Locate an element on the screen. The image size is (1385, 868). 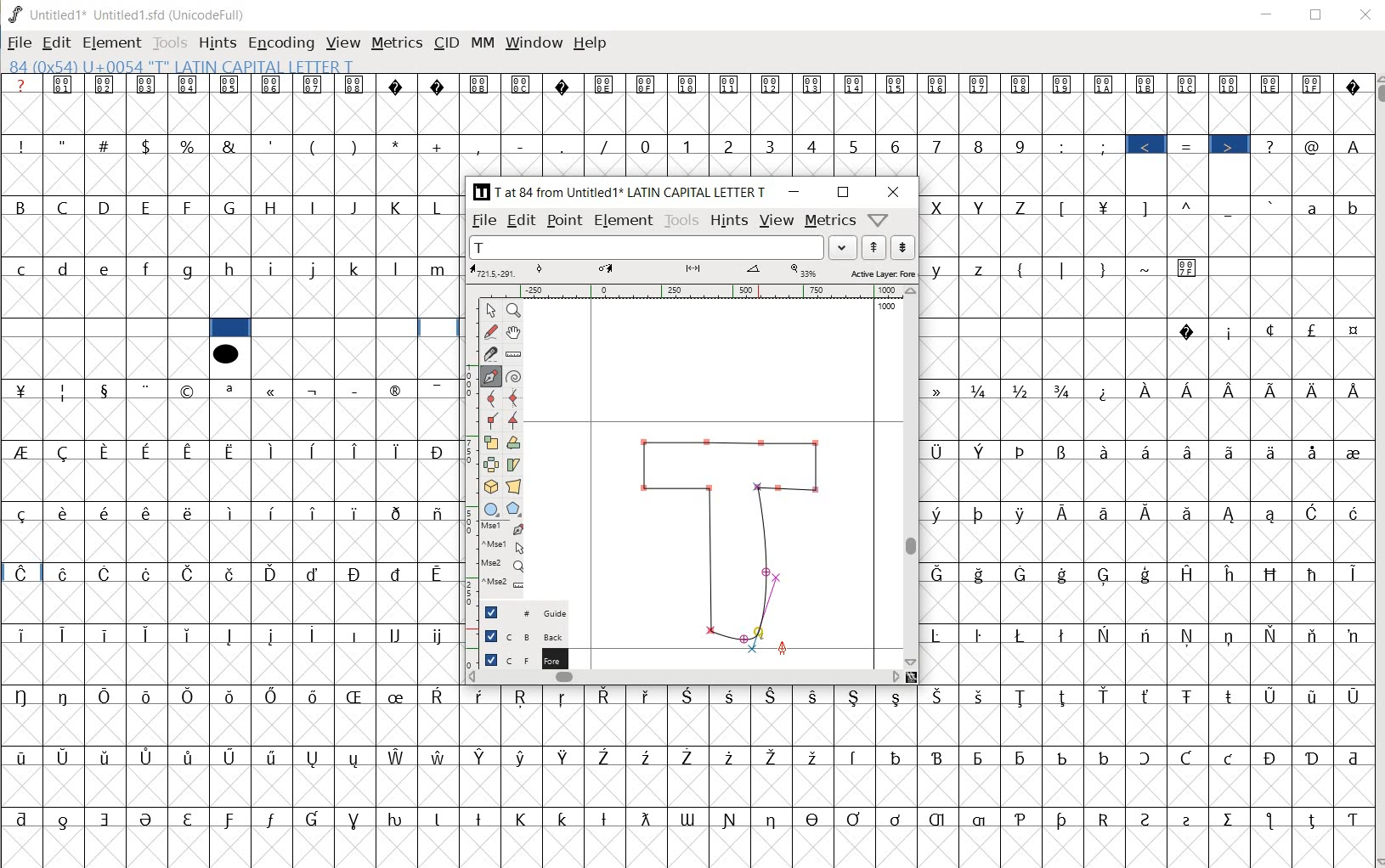
Symbol is located at coordinates (897, 697).